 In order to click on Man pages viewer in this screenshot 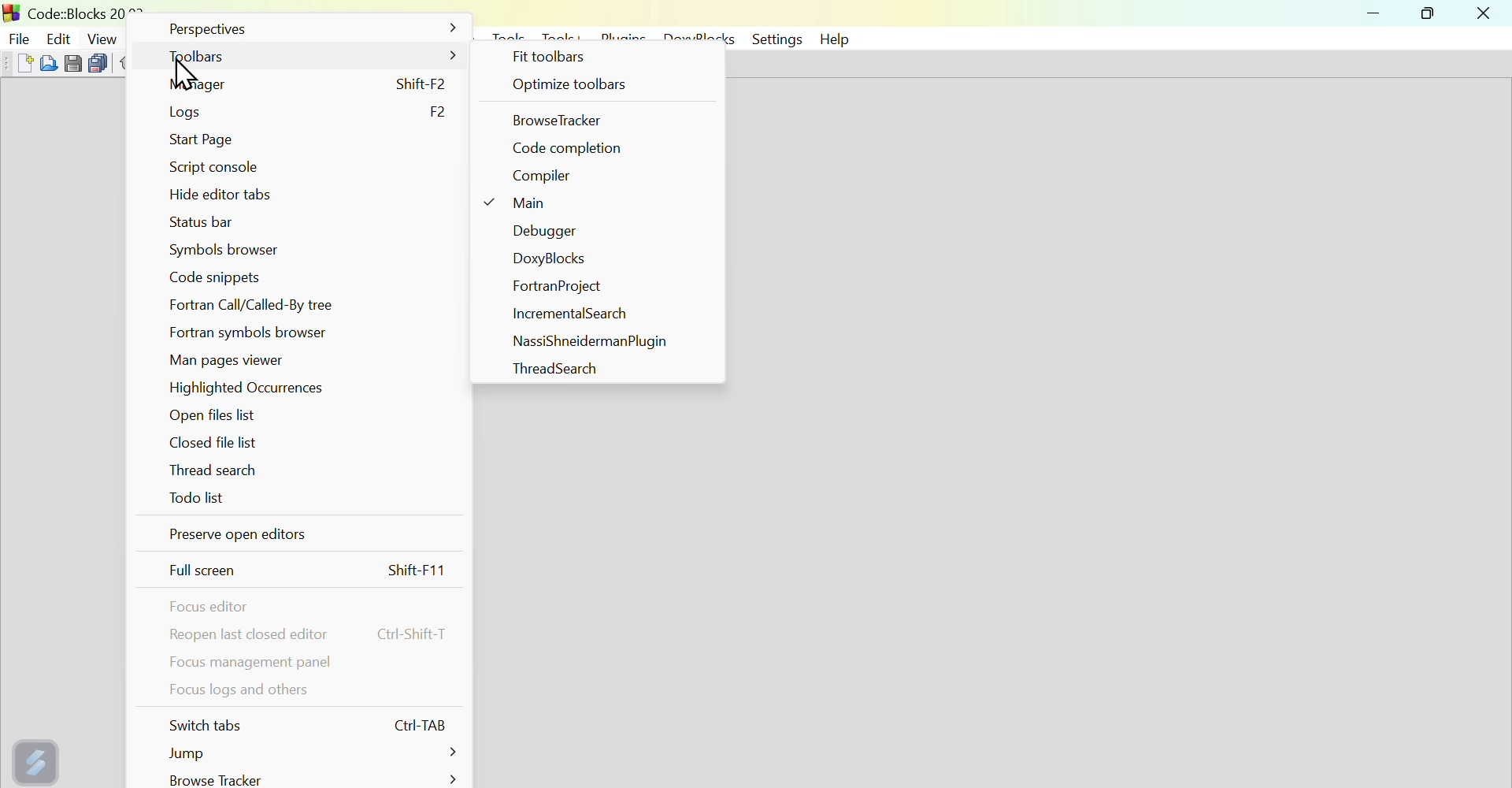, I will do `click(231, 359)`.